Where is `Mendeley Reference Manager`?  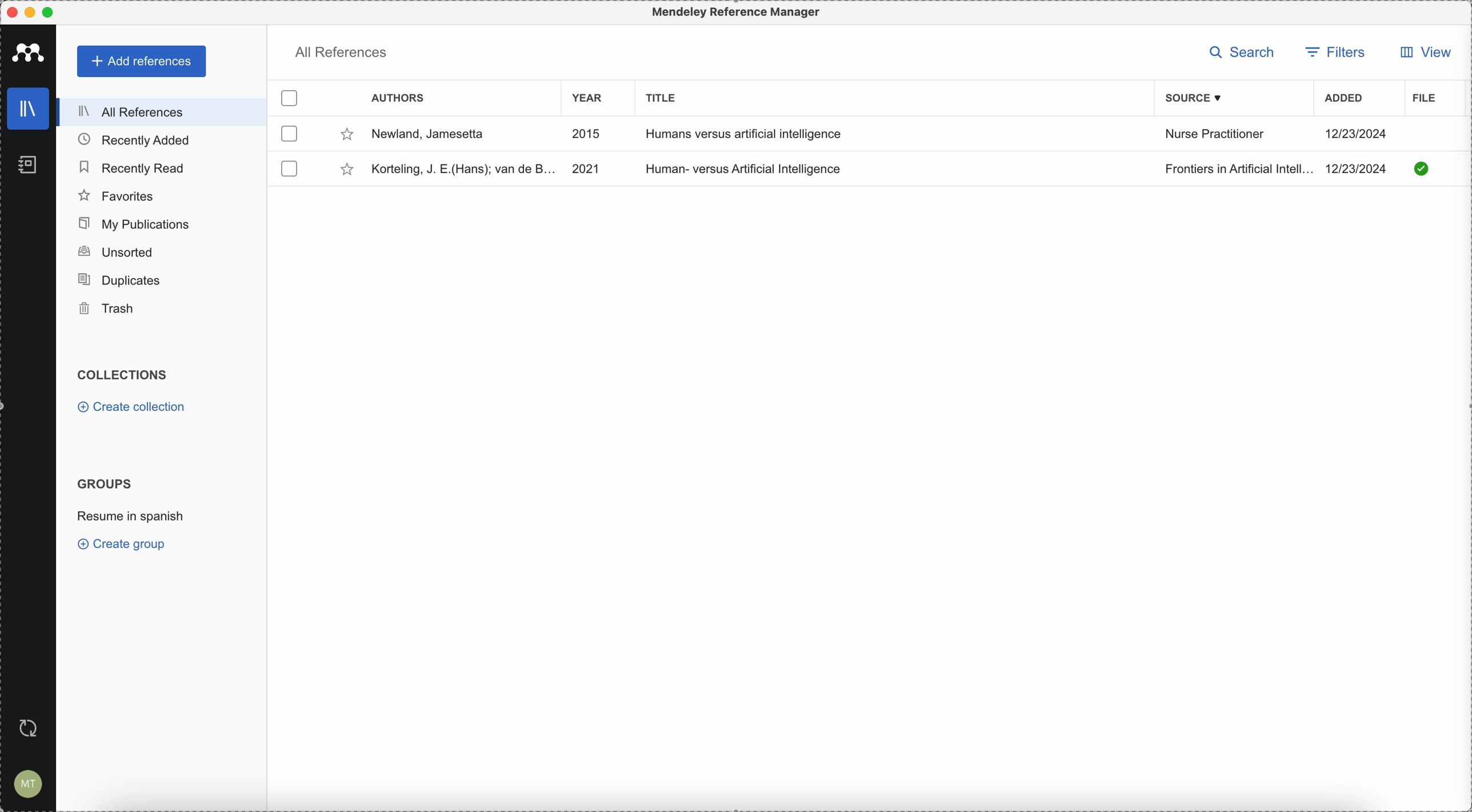
Mendeley Reference Manager is located at coordinates (733, 13).